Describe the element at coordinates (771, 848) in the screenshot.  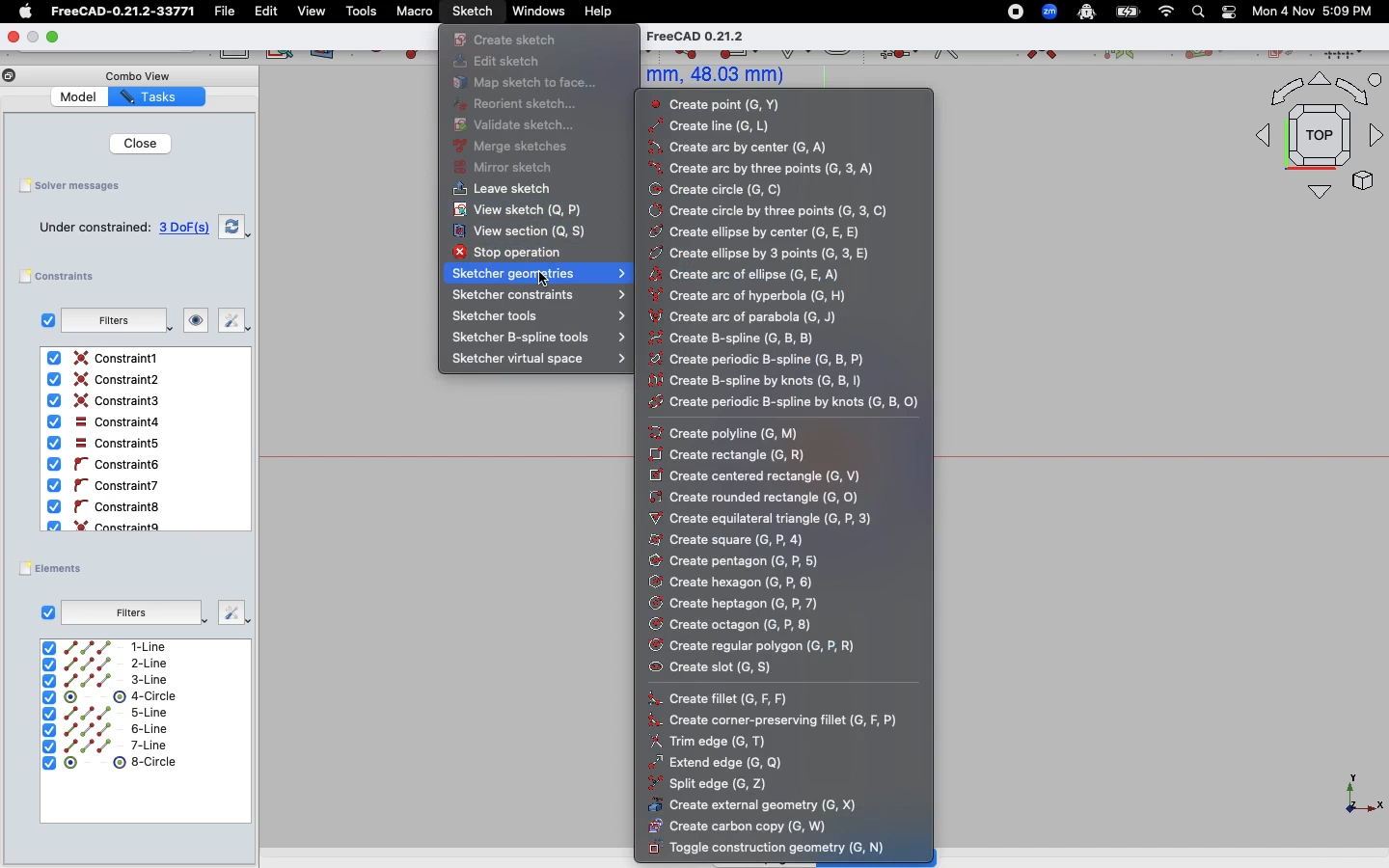
I see `Toggle construction geometry (G, N)` at that location.